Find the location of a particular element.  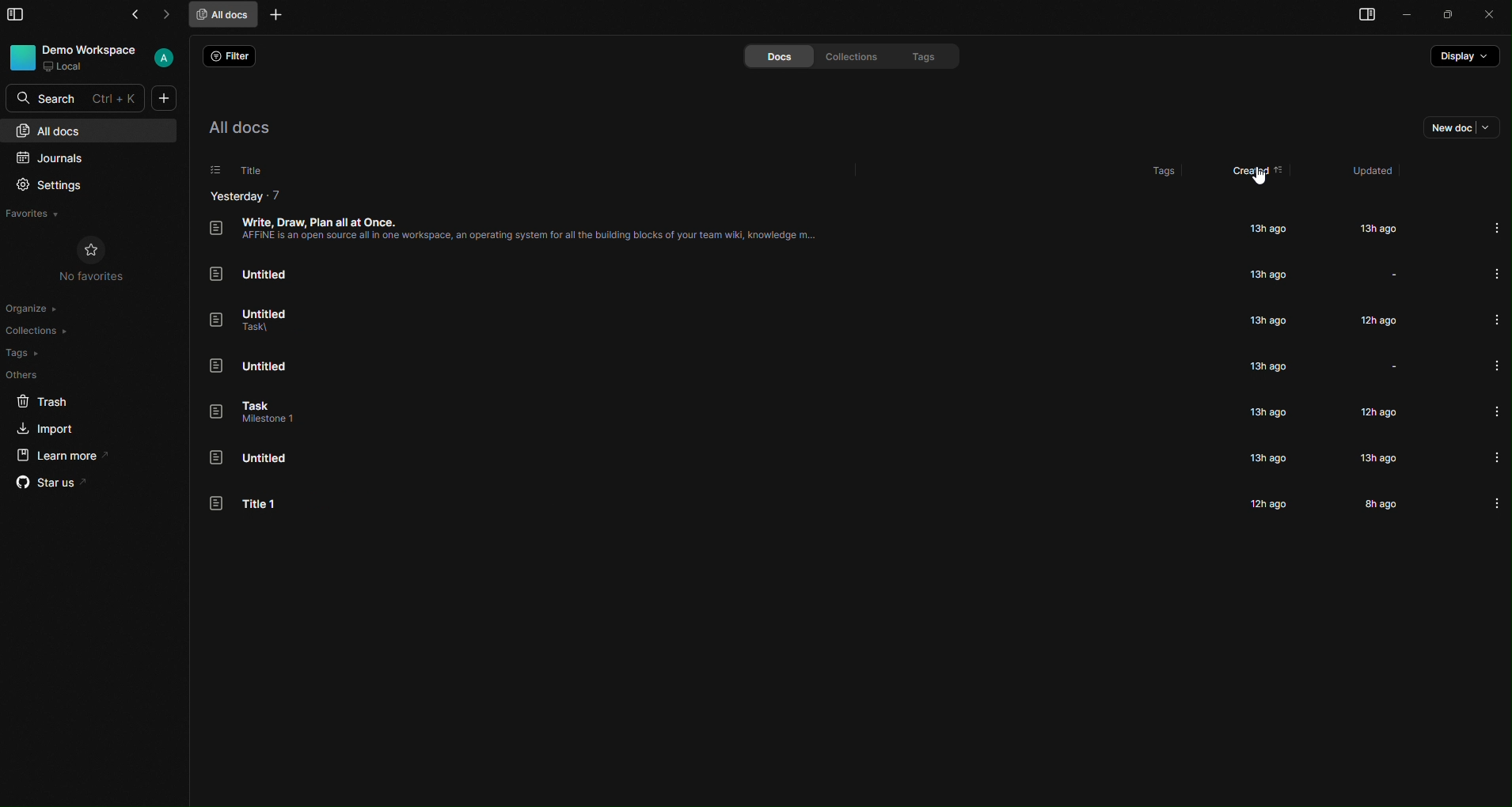

go back is located at coordinates (139, 14).